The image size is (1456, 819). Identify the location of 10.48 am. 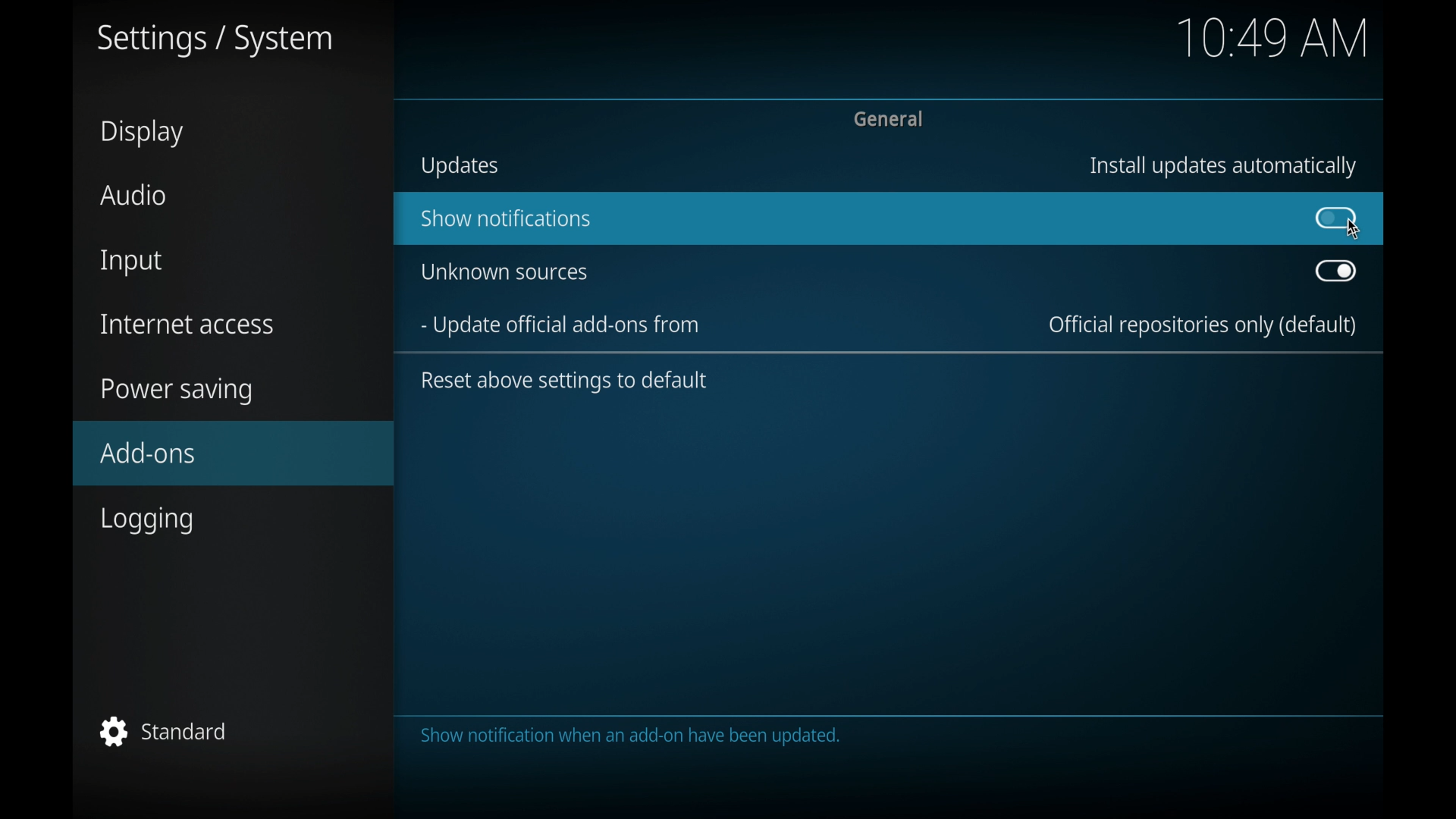
(1272, 37).